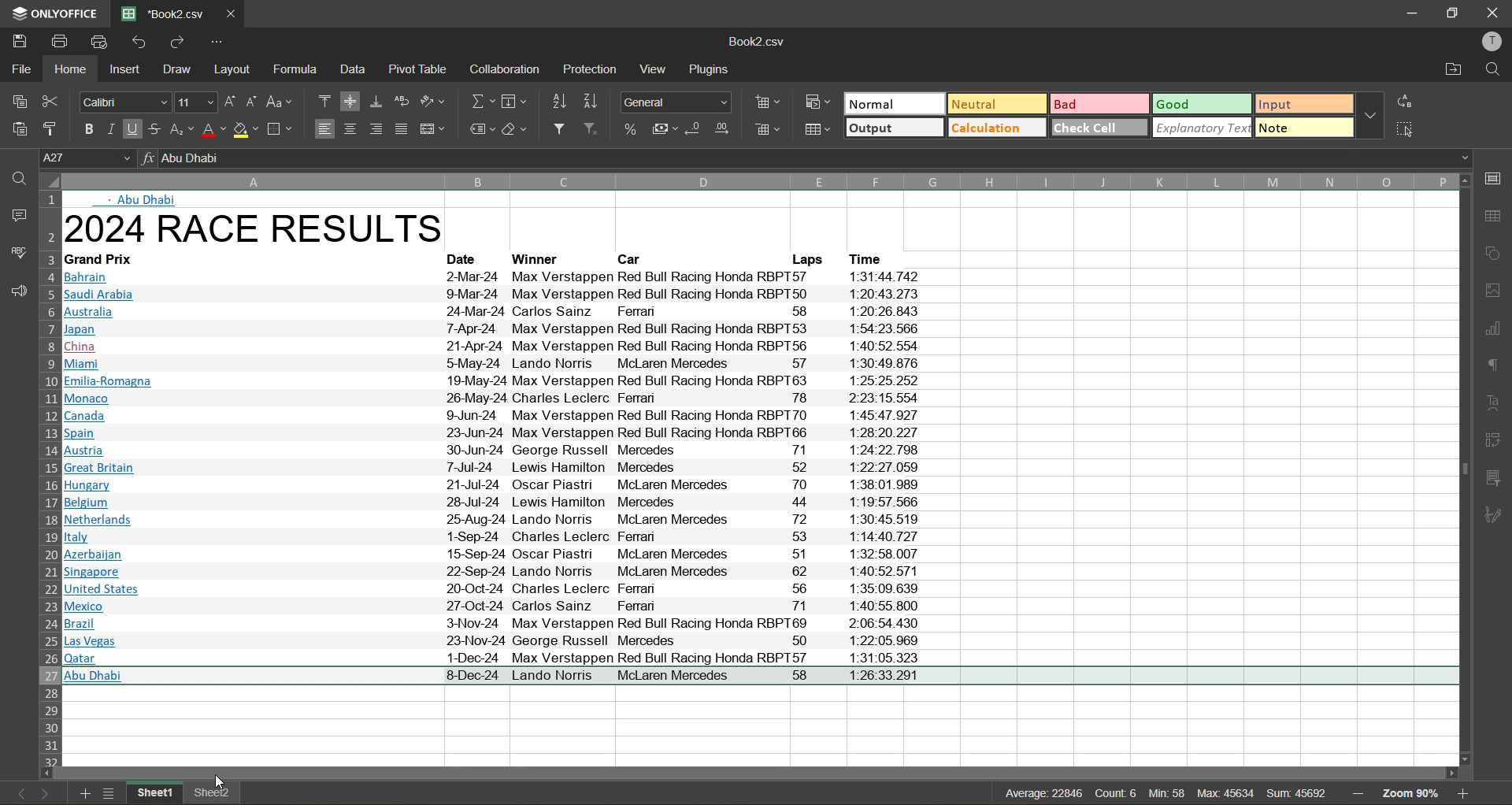 The width and height of the screenshot is (1512, 805). I want to click on min, so click(1165, 795).